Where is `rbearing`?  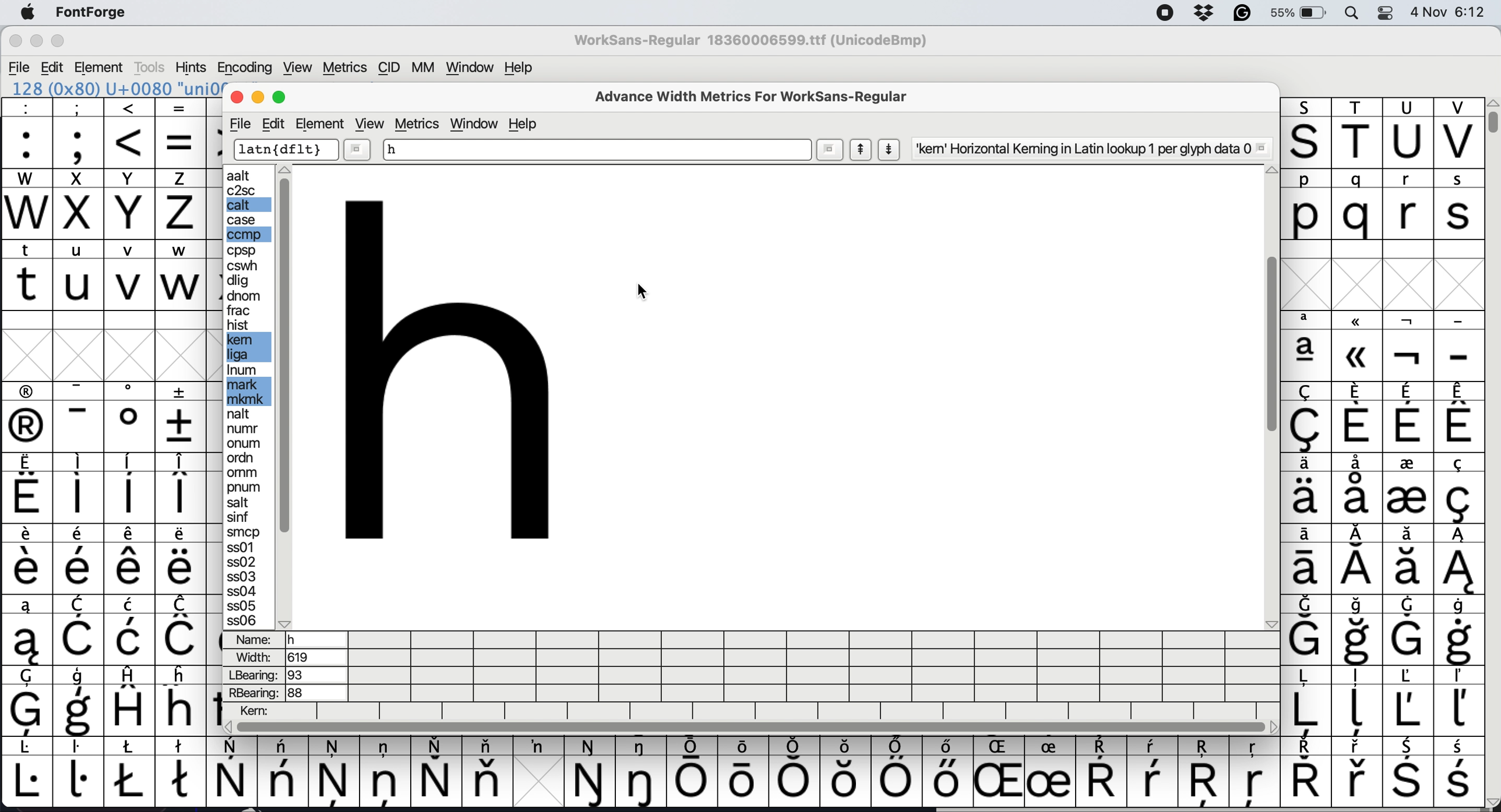 rbearing is located at coordinates (277, 693).